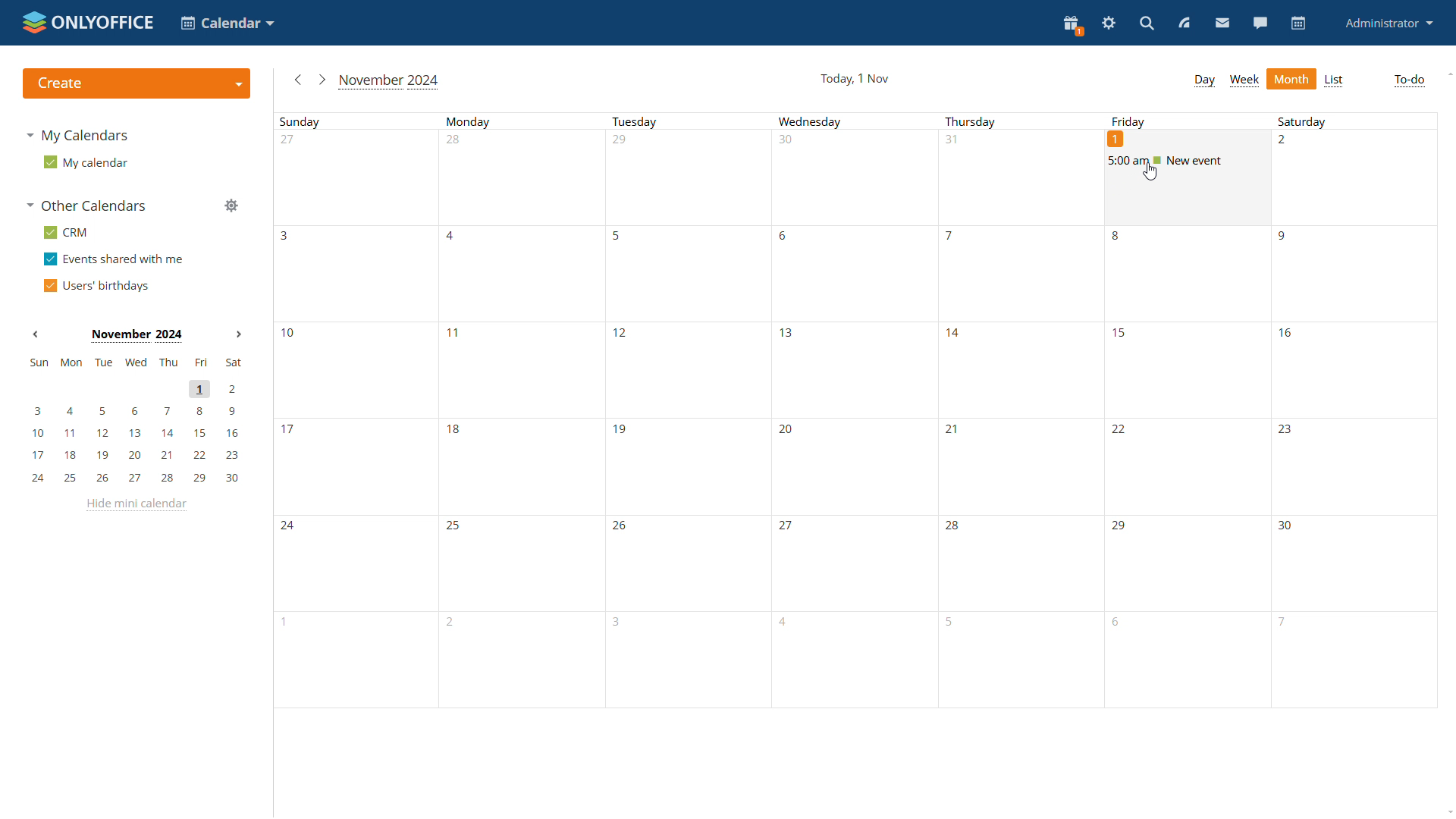 The image size is (1456, 819). I want to click on my calendars, so click(79, 135).